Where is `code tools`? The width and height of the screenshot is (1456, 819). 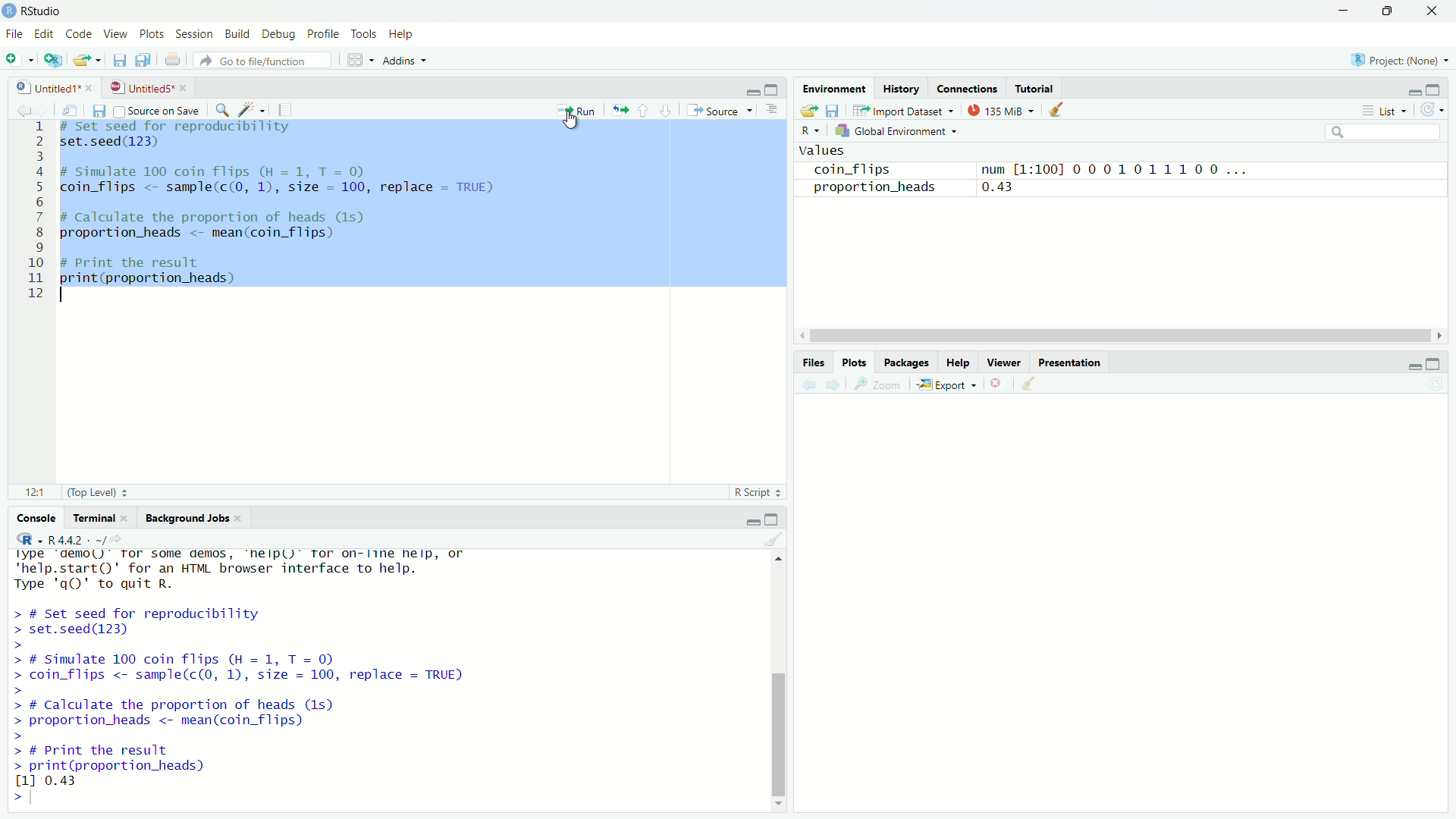 code tools is located at coordinates (253, 110).